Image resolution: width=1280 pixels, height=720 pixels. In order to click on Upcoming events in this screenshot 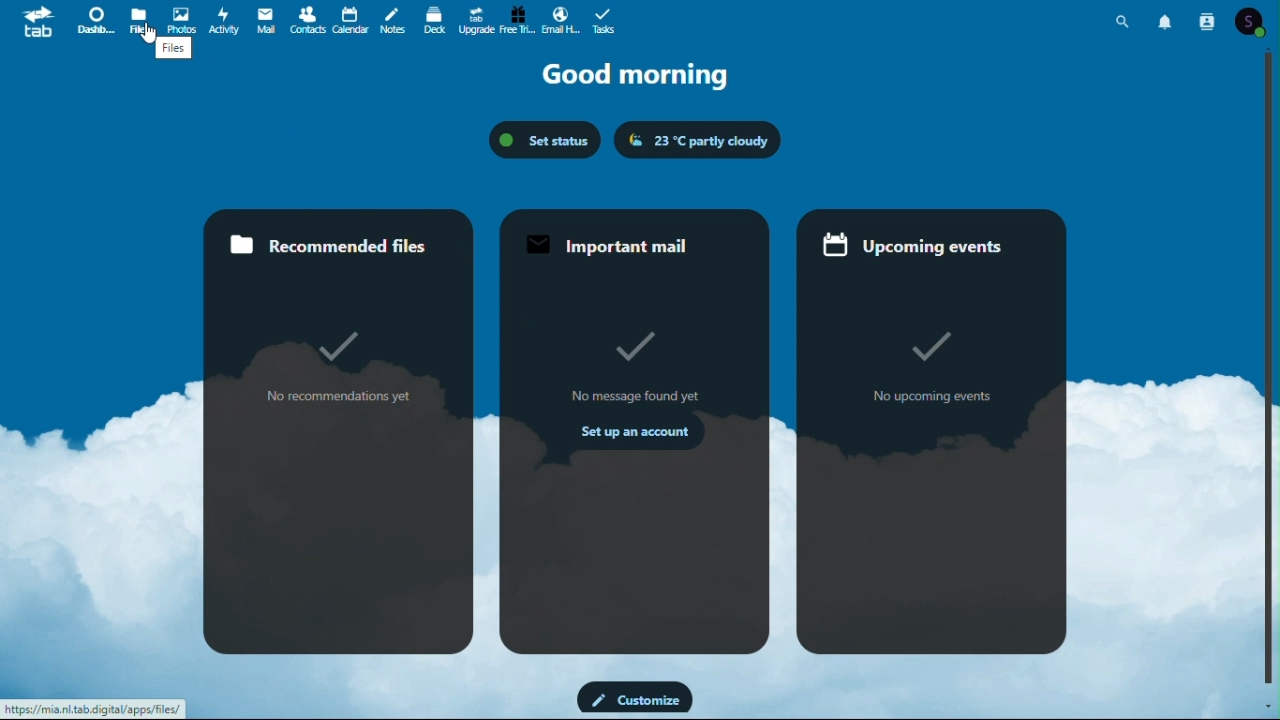, I will do `click(930, 430)`.